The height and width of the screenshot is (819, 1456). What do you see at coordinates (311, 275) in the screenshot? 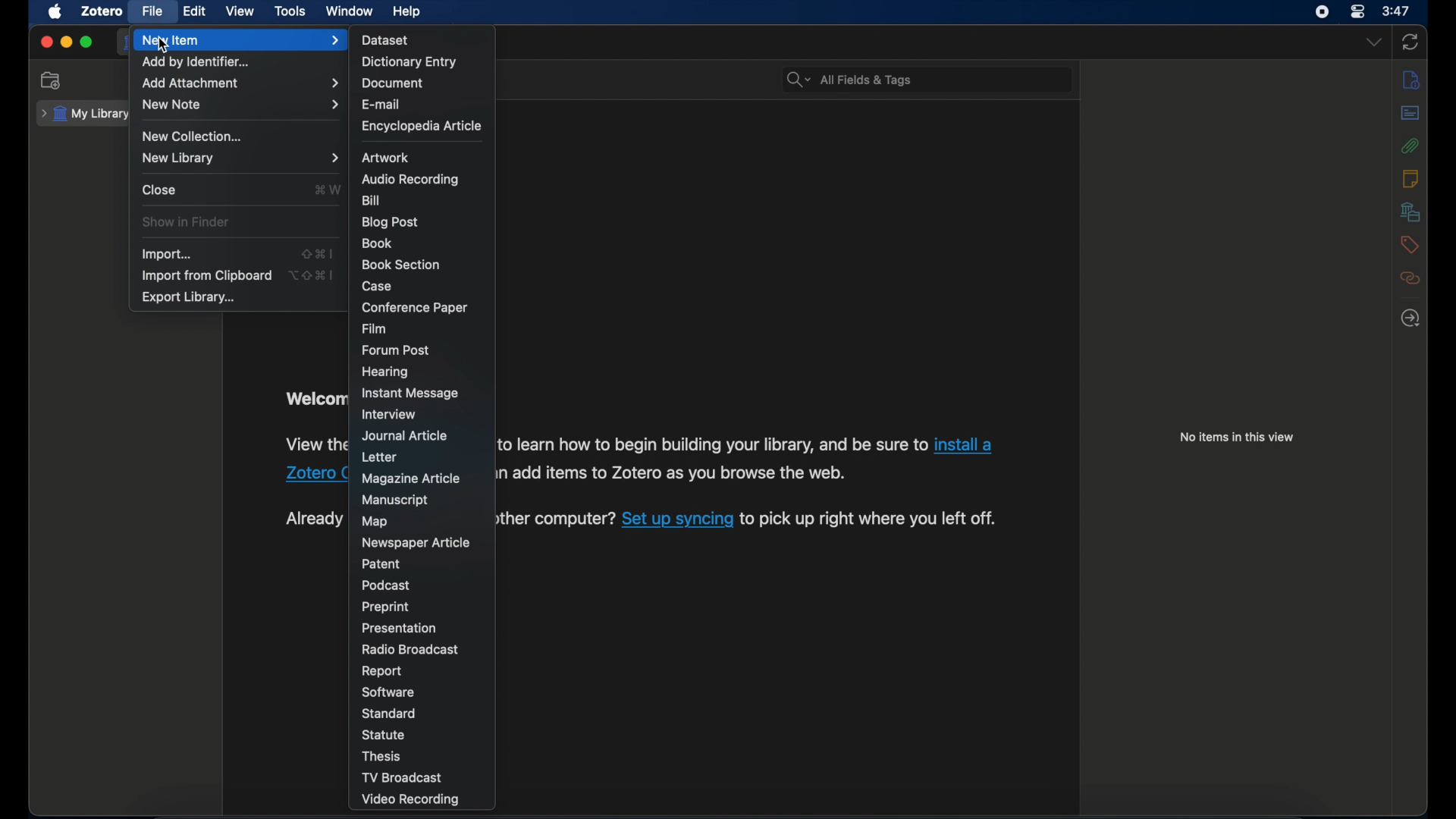
I see `shortcut` at bounding box center [311, 275].